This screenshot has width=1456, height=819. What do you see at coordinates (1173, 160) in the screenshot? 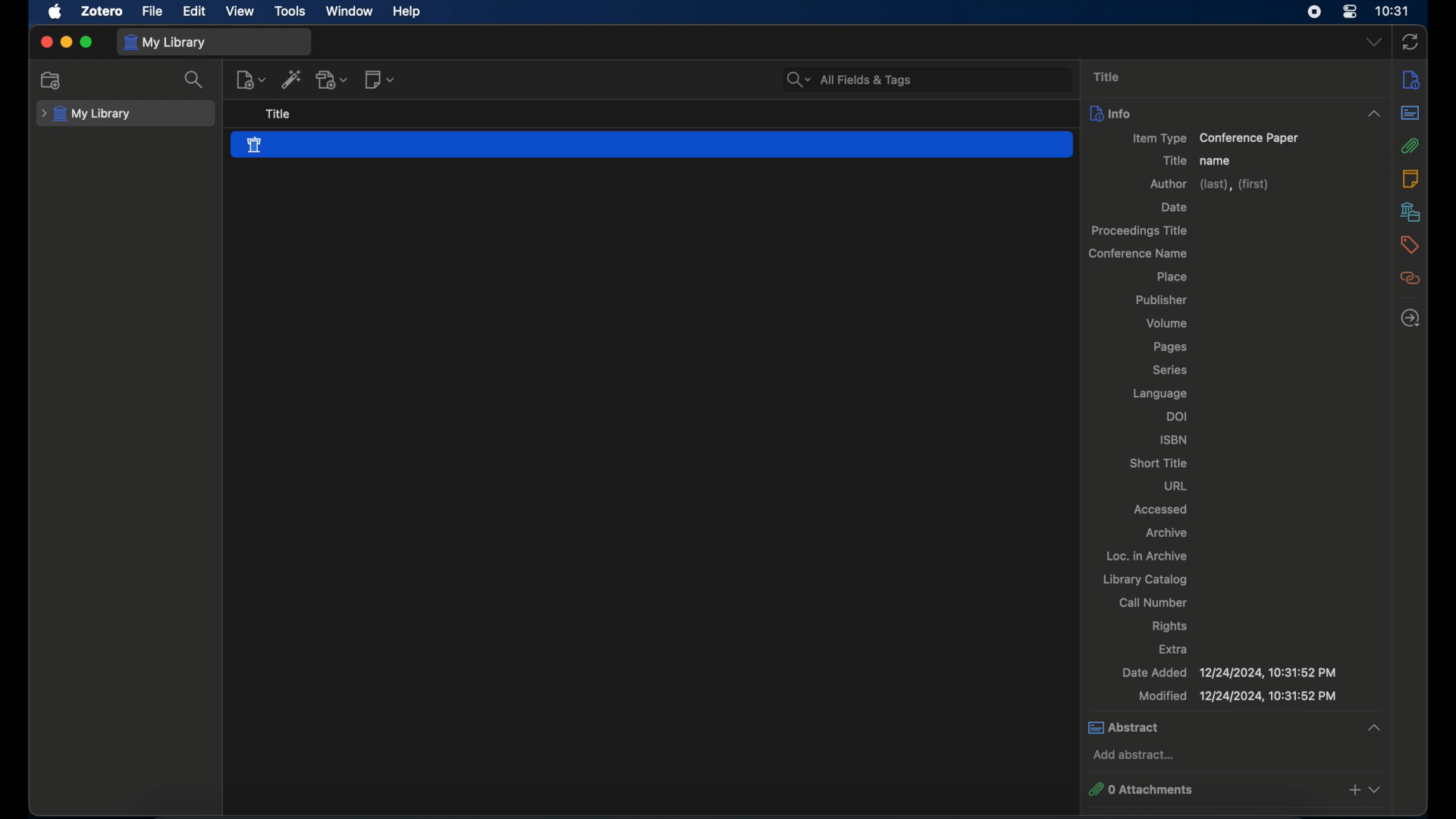
I see `title` at bounding box center [1173, 160].